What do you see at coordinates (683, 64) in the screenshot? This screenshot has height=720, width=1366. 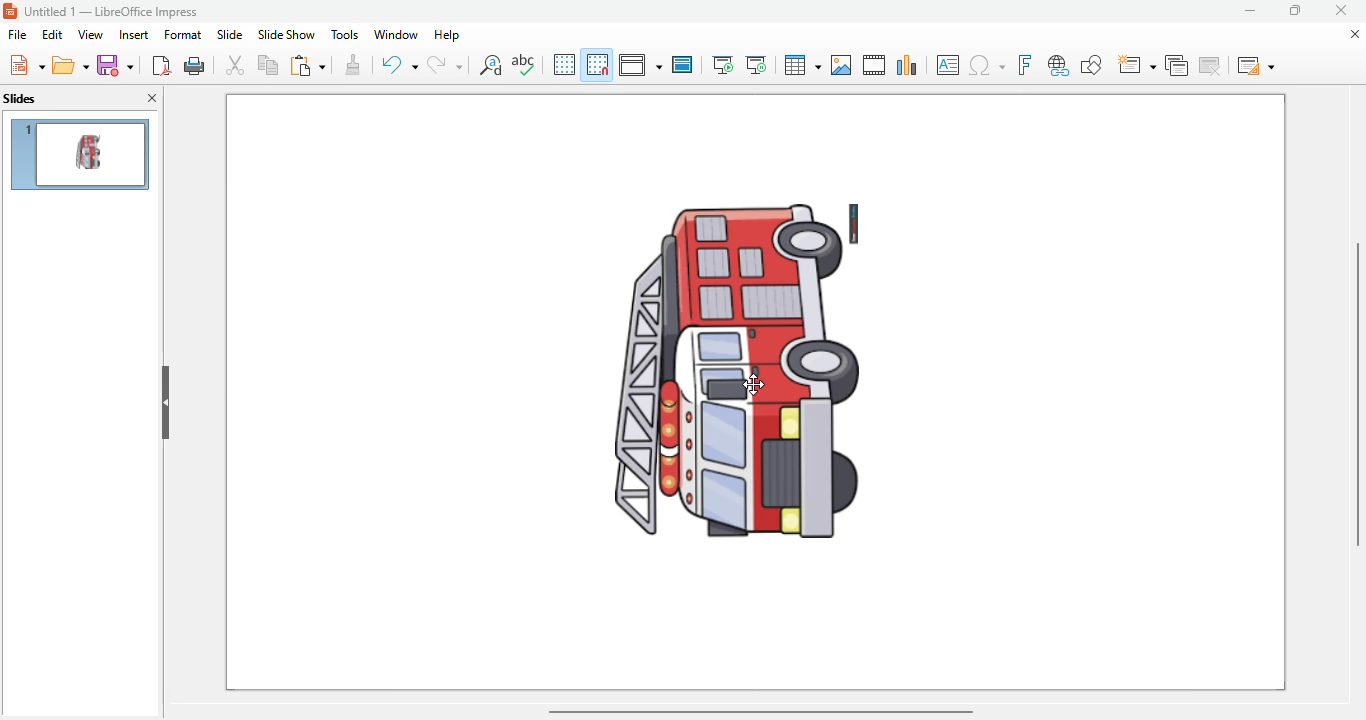 I see `master slide` at bounding box center [683, 64].